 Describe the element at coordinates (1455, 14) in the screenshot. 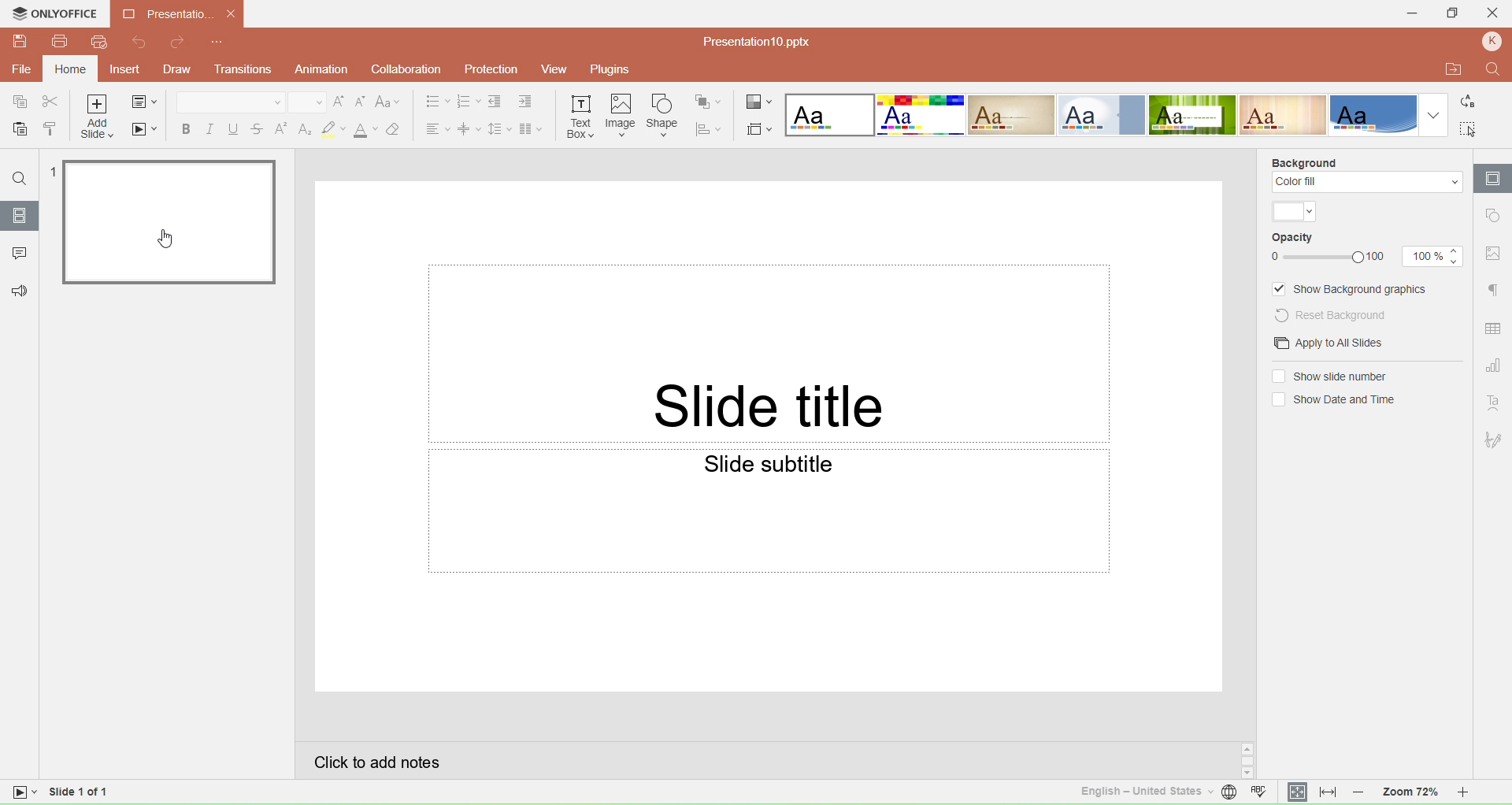

I see `Maximize` at that location.